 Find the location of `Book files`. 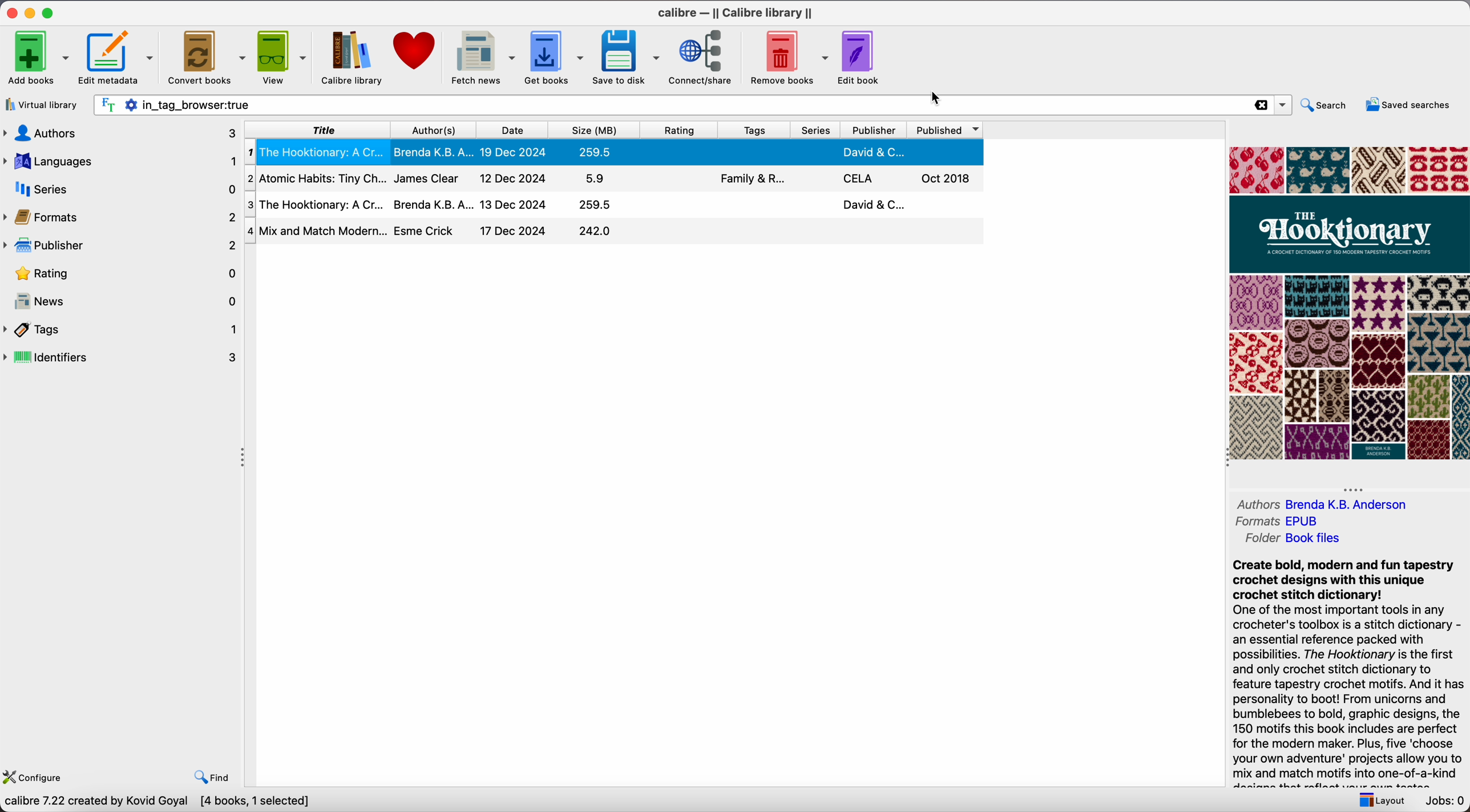

Book files is located at coordinates (1314, 539).